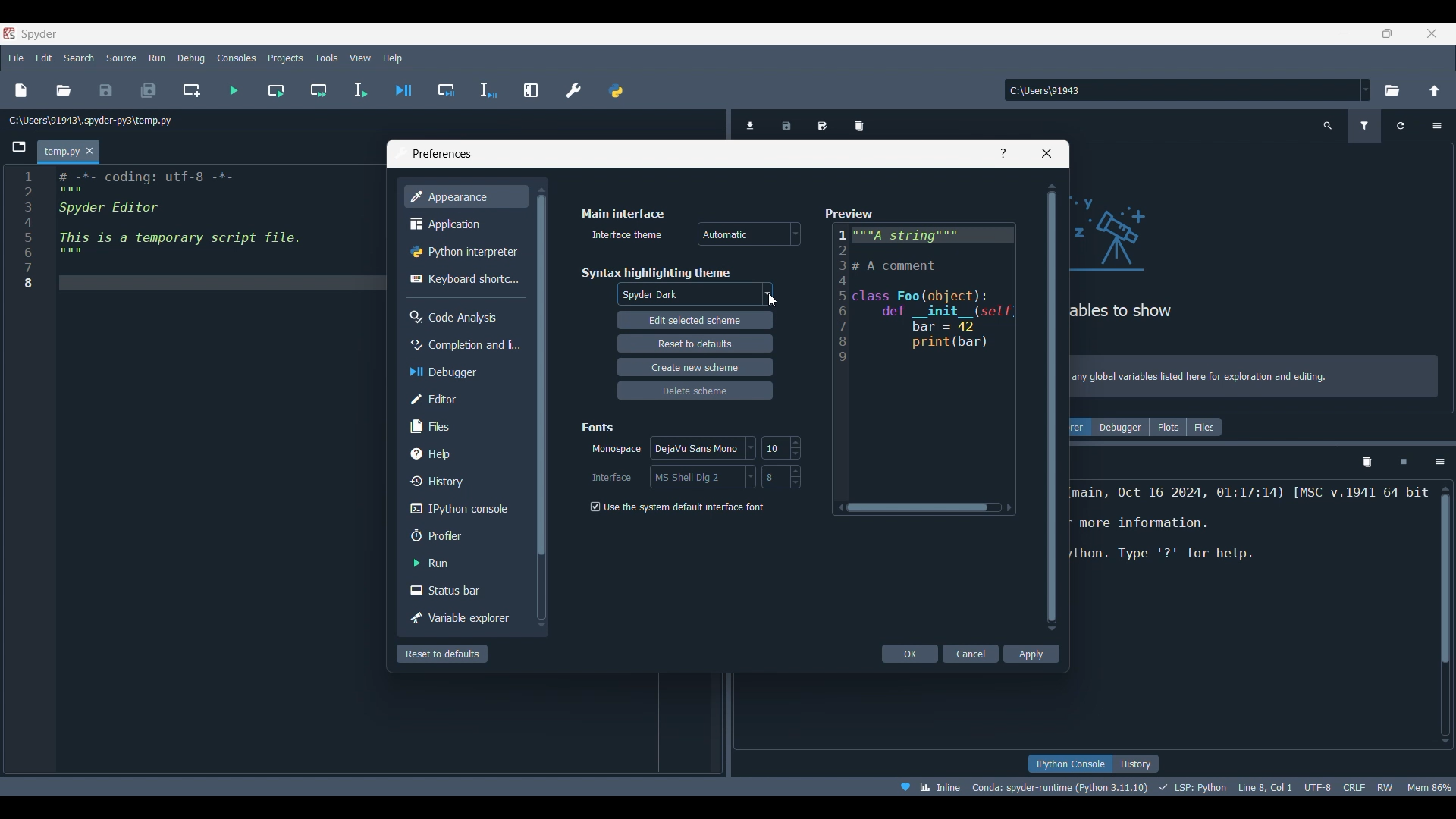  I want to click on Open, so click(64, 90).